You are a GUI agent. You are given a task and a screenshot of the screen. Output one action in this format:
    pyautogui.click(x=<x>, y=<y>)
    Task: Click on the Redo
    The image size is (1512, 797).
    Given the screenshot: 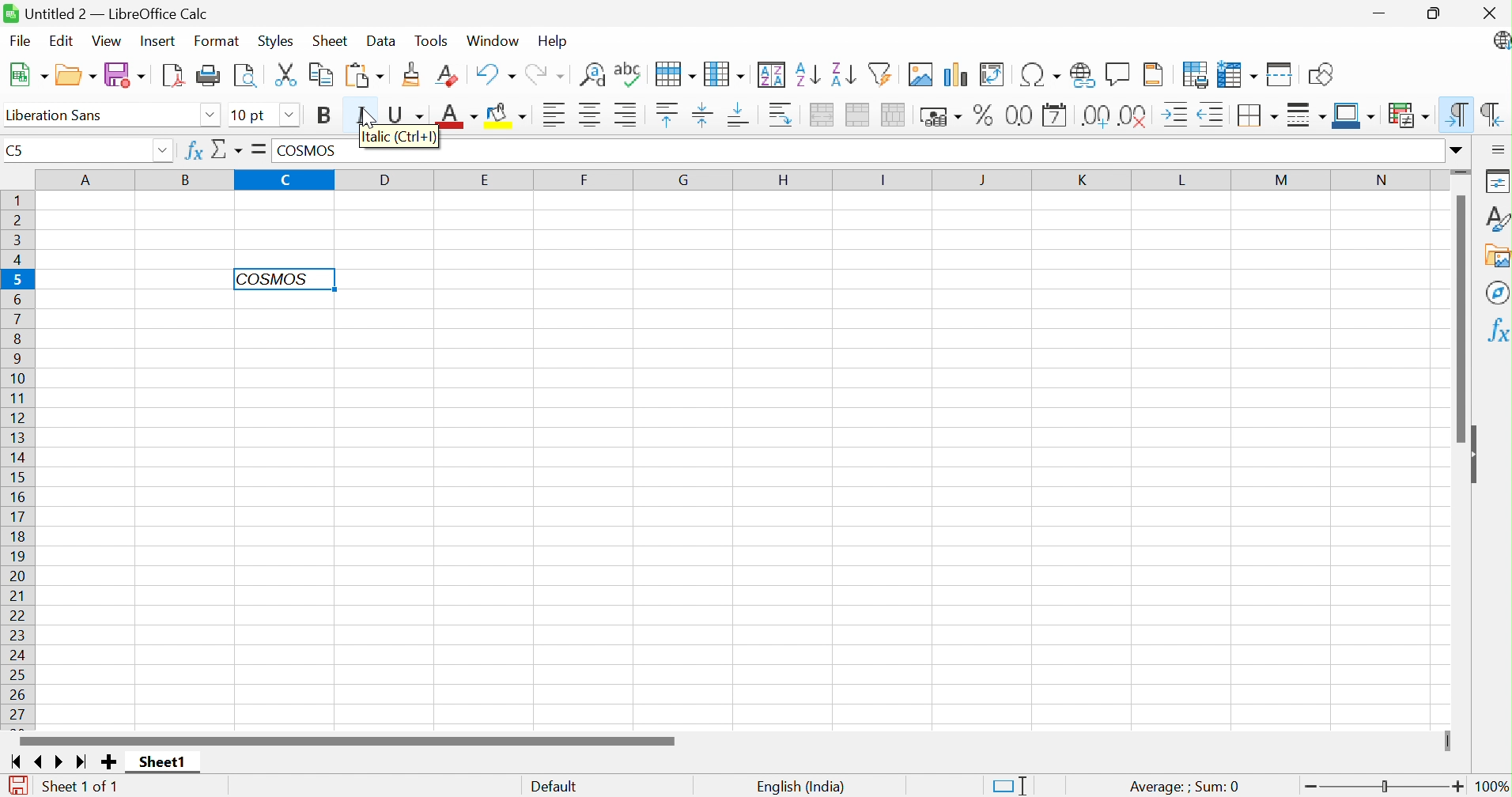 What is the action you would take?
    pyautogui.click(x=544, y=76)
    